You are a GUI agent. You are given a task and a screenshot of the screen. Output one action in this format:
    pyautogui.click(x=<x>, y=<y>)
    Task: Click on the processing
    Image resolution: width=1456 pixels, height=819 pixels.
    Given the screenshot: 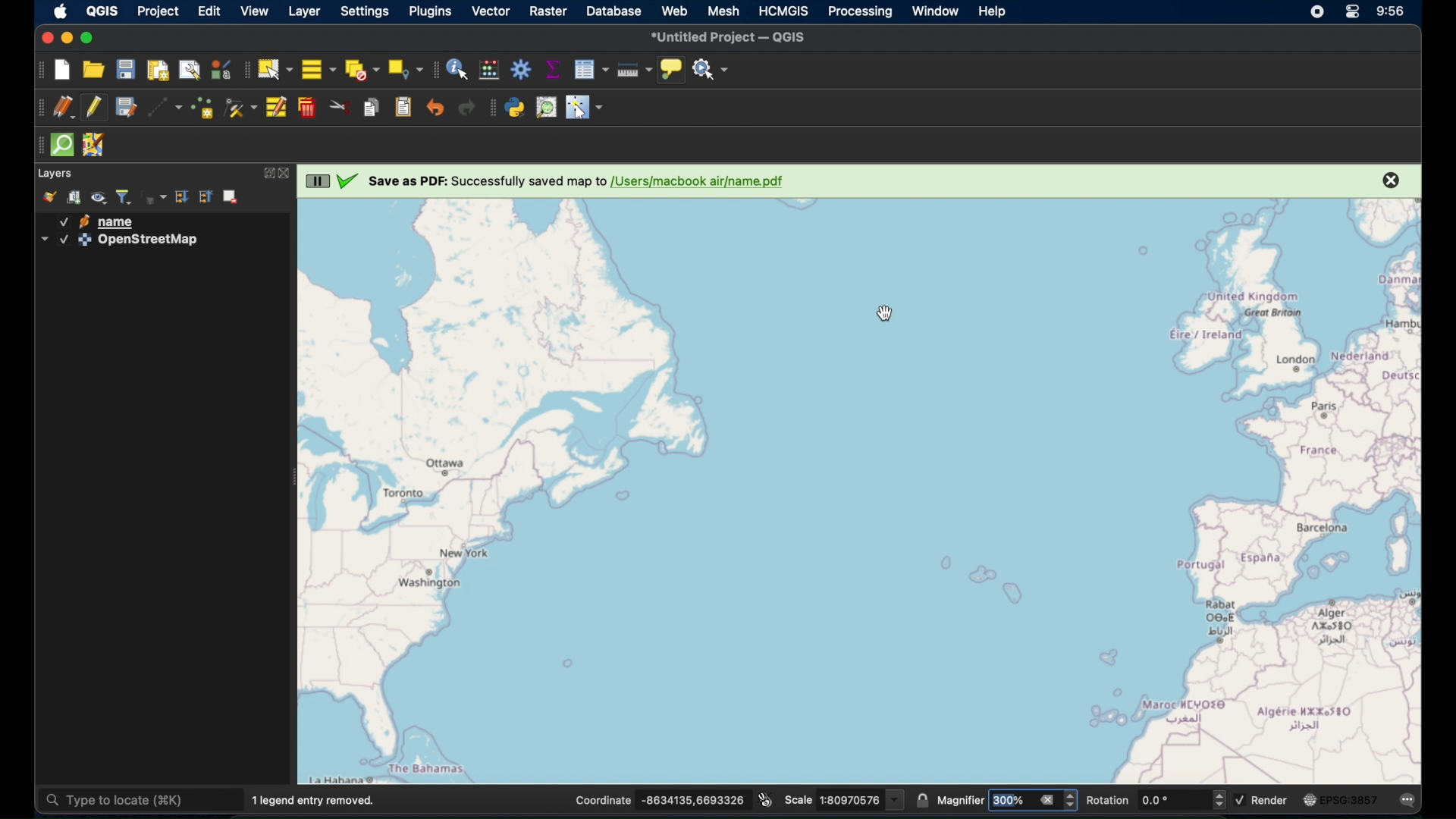 What is the action you would take?
    pyautogui.click(x=861, y=13)
    